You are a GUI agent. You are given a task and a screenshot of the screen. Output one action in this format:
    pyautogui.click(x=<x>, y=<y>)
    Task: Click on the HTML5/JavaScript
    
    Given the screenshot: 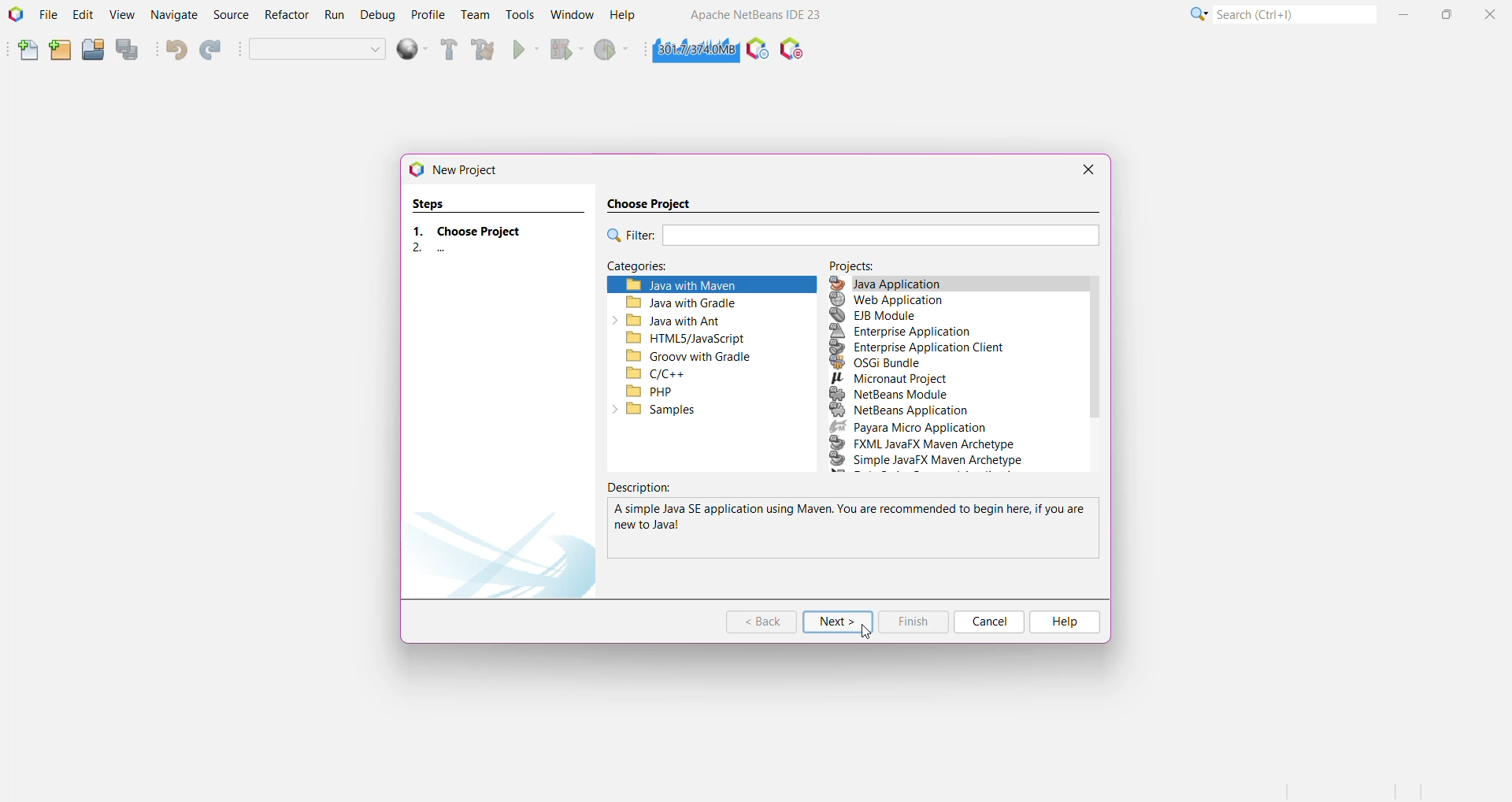 What is the action you would take?
    pyautogui.click(x=710, y=338)
    